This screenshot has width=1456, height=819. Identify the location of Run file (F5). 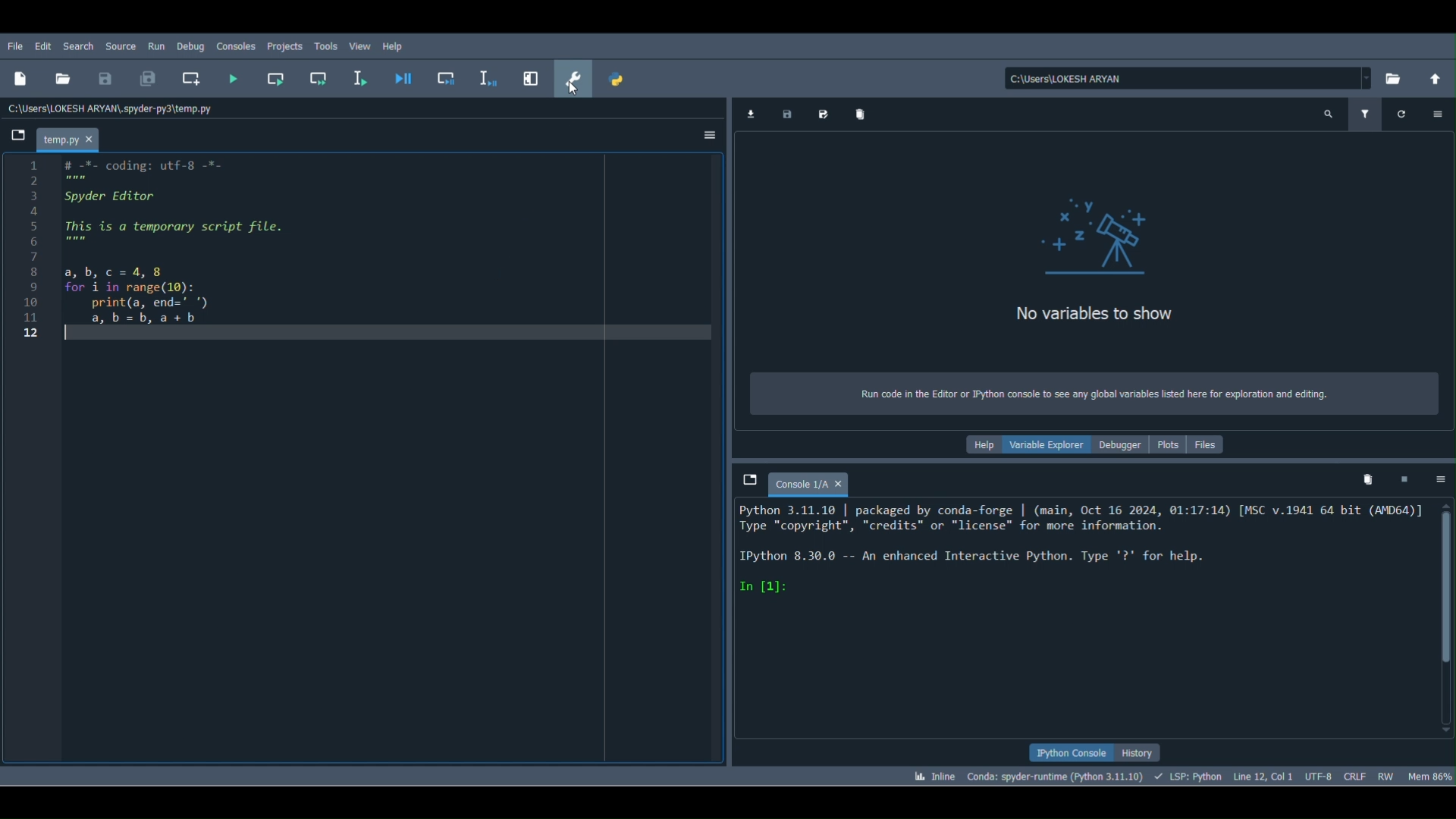
(235, 78).